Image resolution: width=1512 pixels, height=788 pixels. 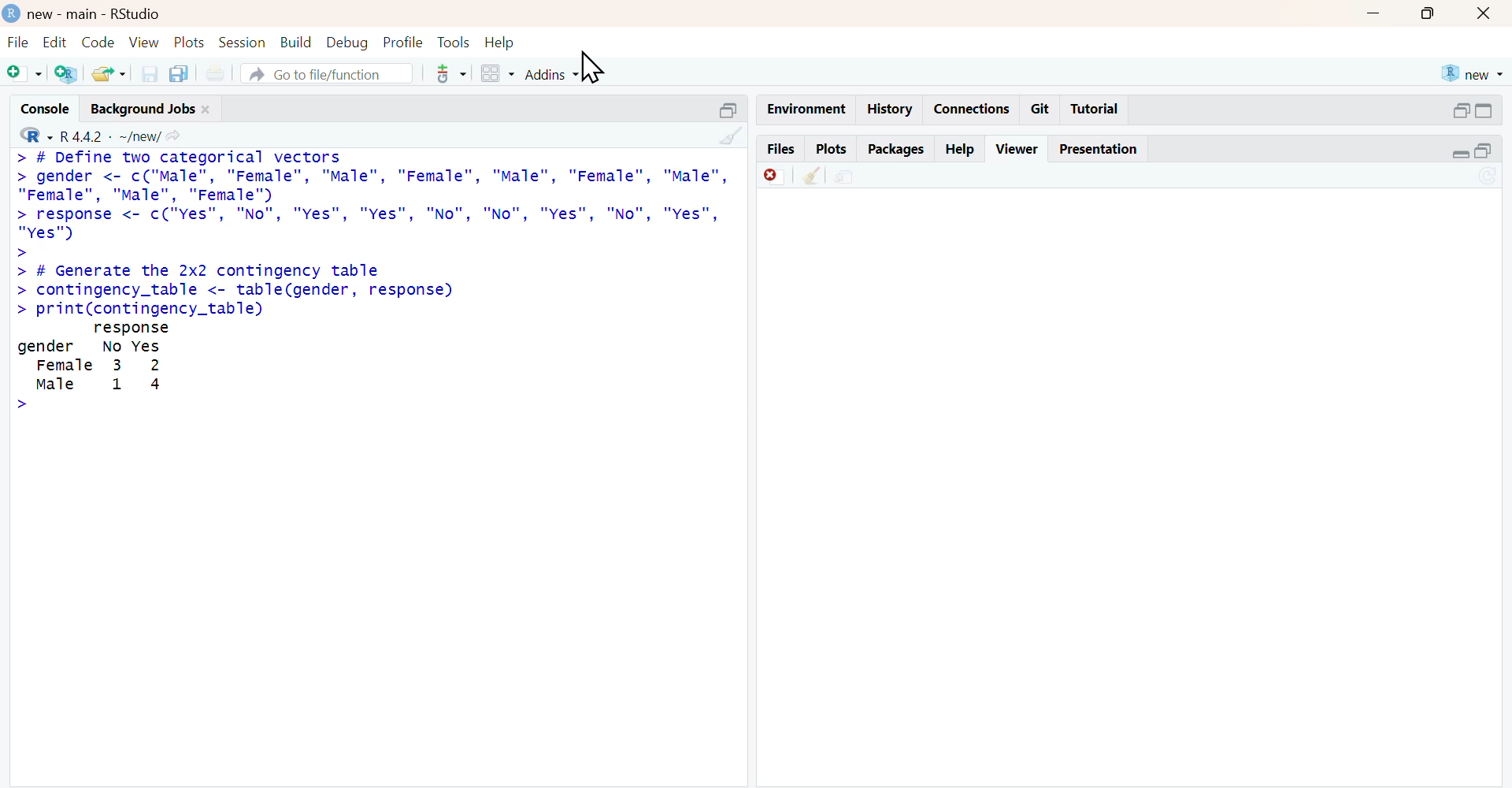 I want to click on close, so click(x=1484, y=14).